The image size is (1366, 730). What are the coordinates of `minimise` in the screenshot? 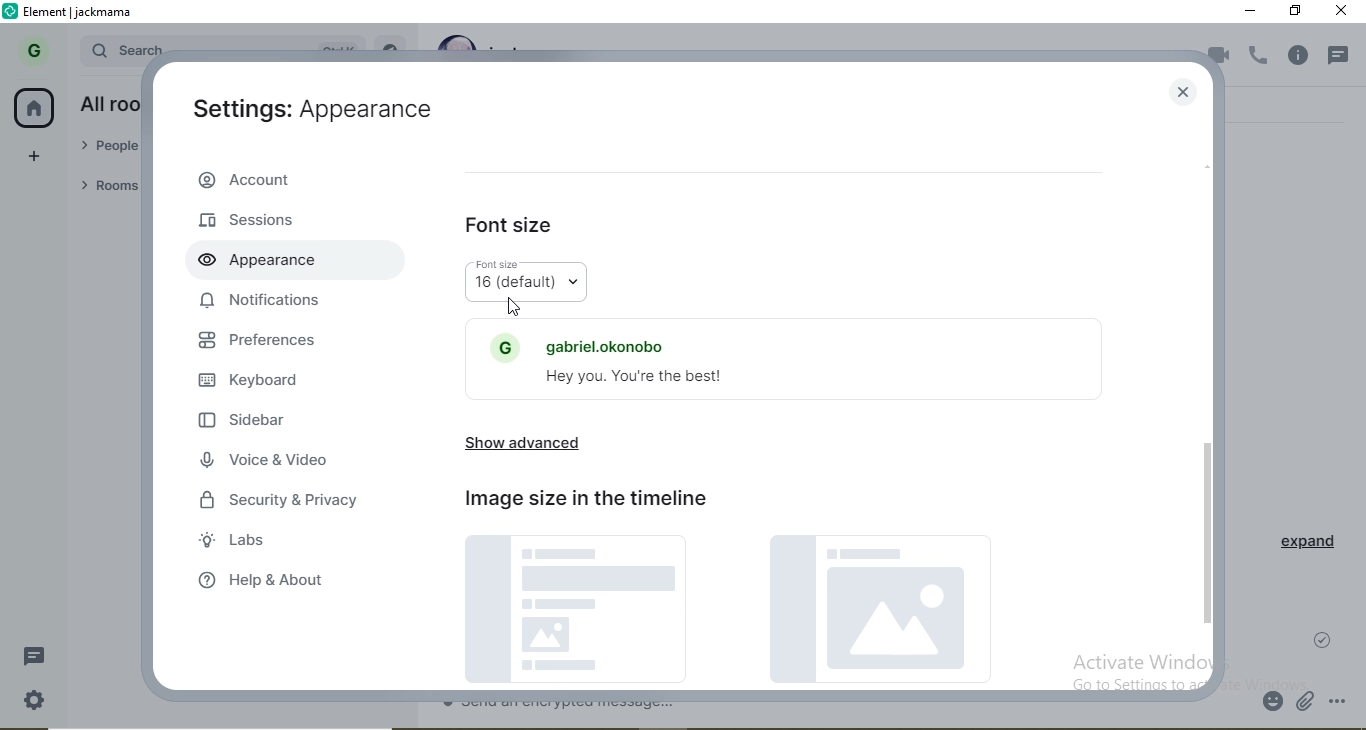 It's located at (1251, 12).